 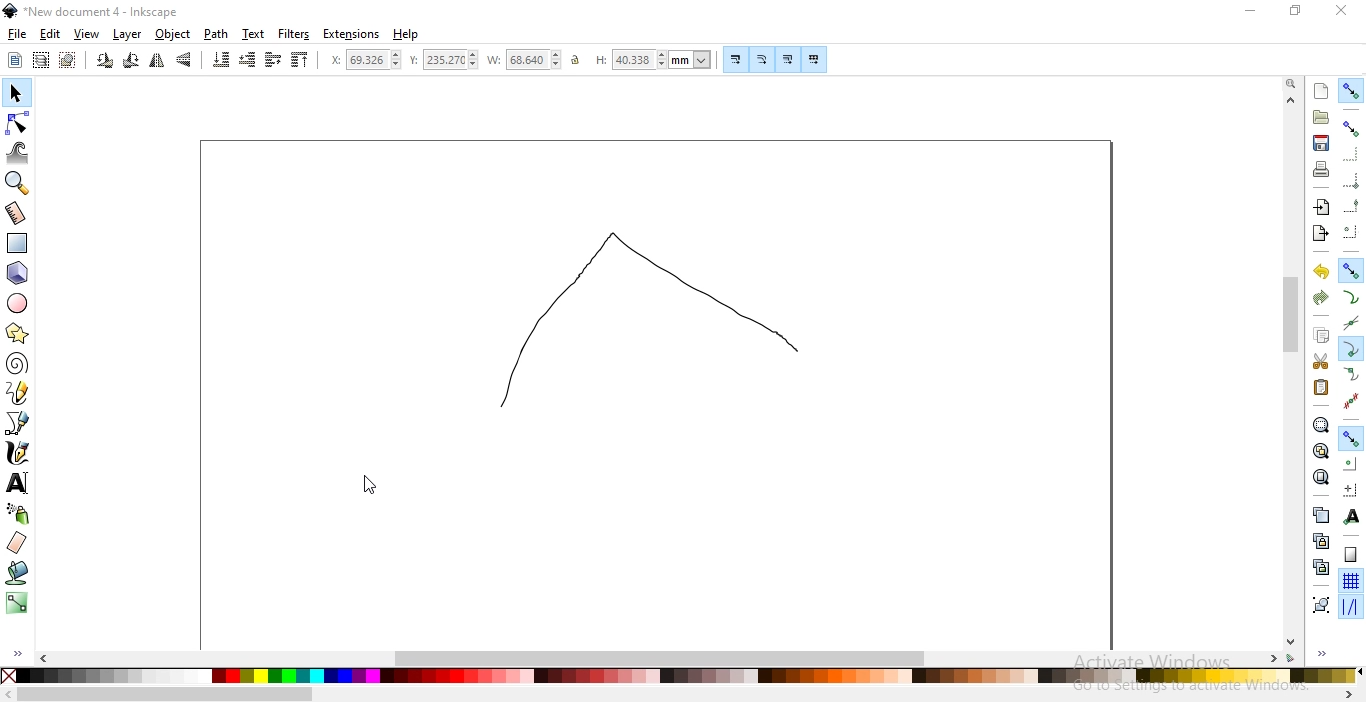 I want to click on create circles, arcs, and ellipses, so click(x=18, y=303).